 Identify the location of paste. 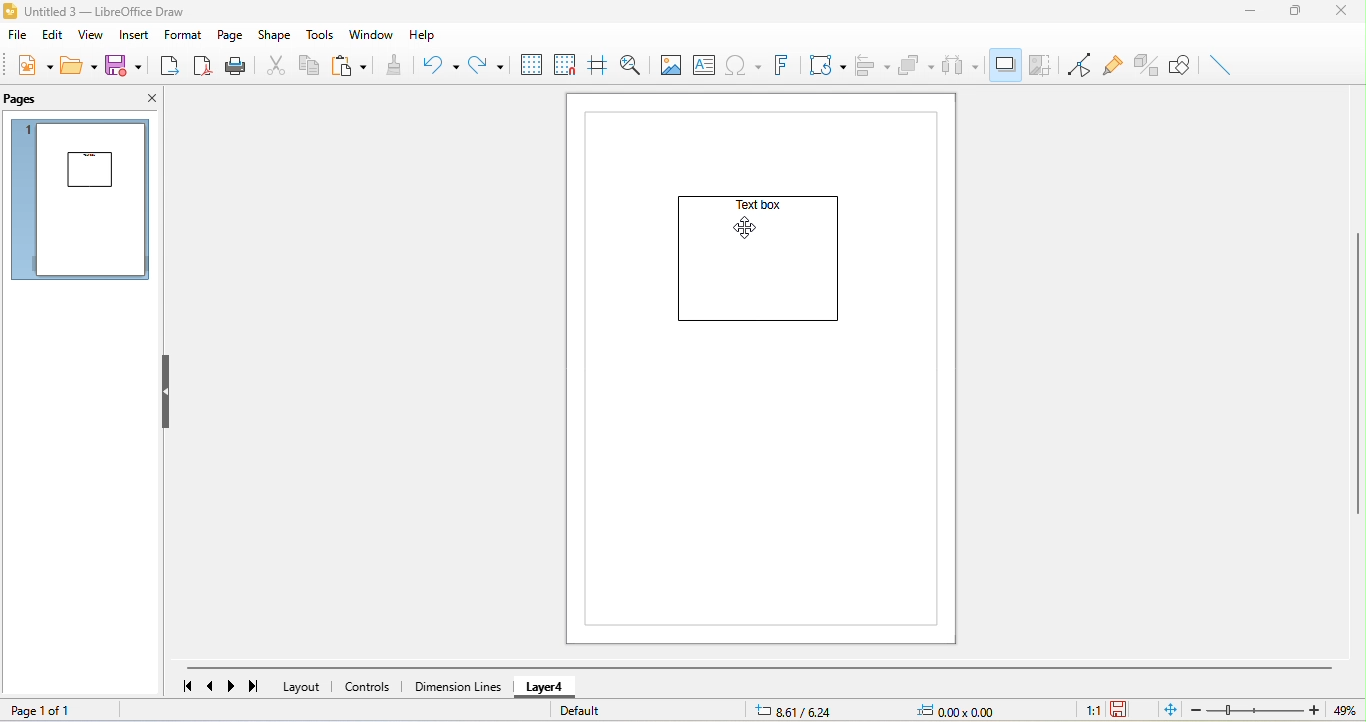
(349, 67).